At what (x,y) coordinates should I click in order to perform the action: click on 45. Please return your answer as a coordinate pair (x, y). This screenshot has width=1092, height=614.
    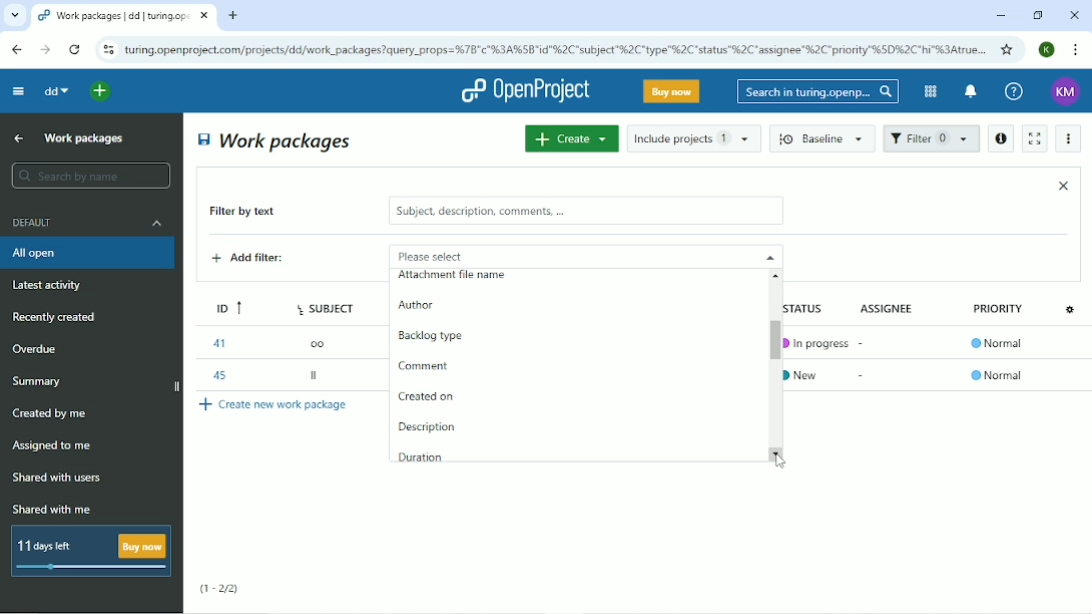
    Looking at the image, I should click on (217, 373).